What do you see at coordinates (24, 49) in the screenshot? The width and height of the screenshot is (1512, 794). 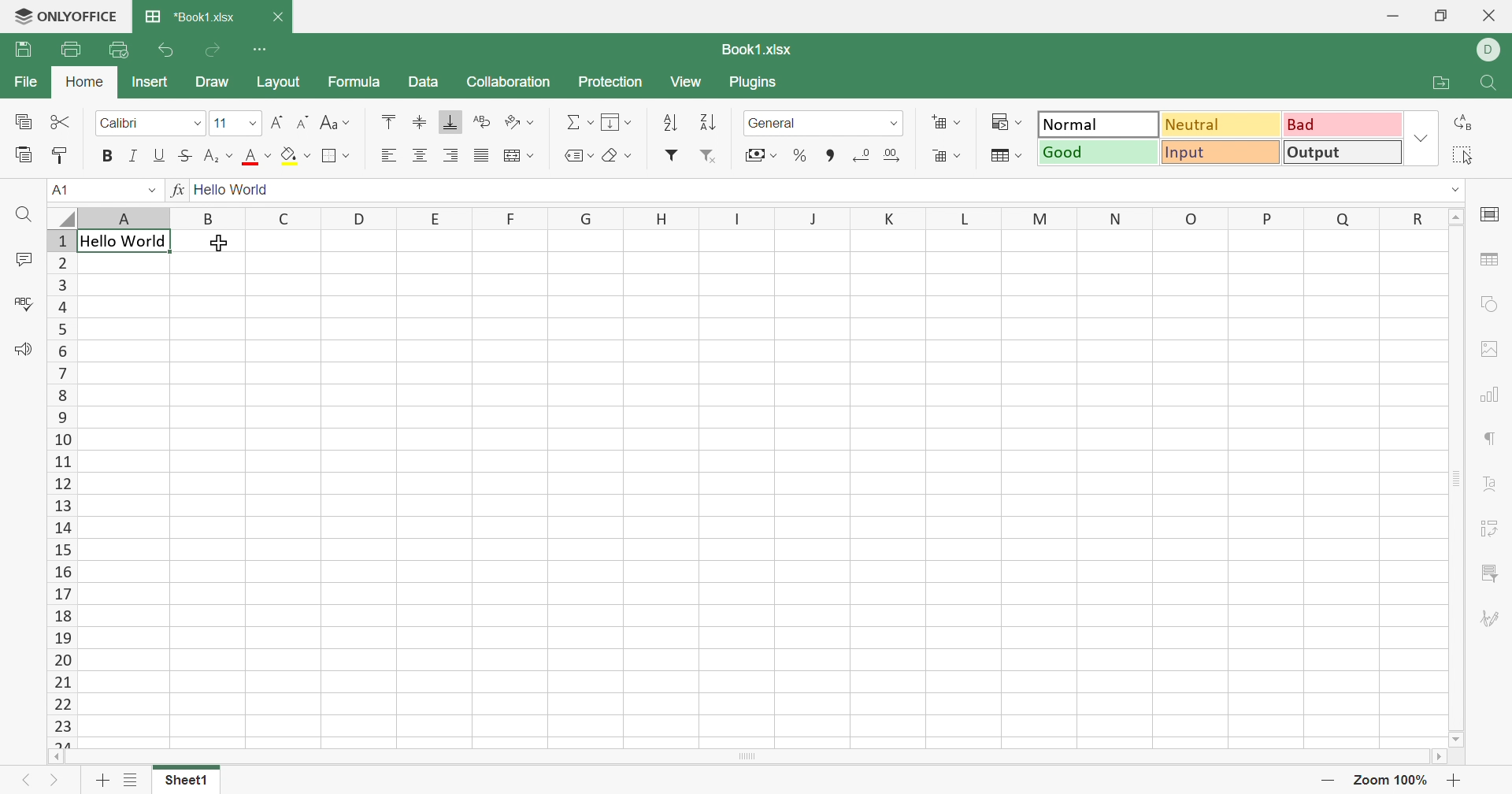 I see `Save` at bounding box center [24, 49].